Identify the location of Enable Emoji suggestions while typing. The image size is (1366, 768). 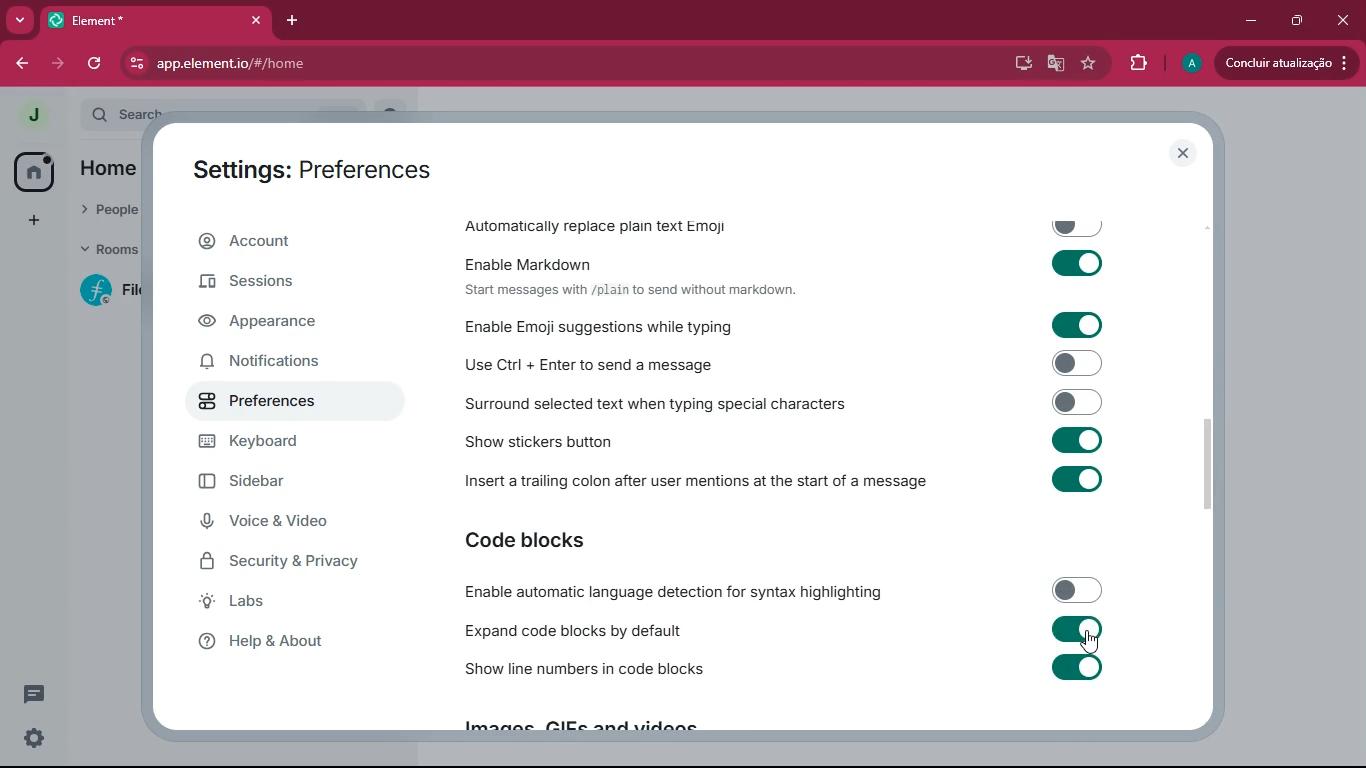
(794, 325).